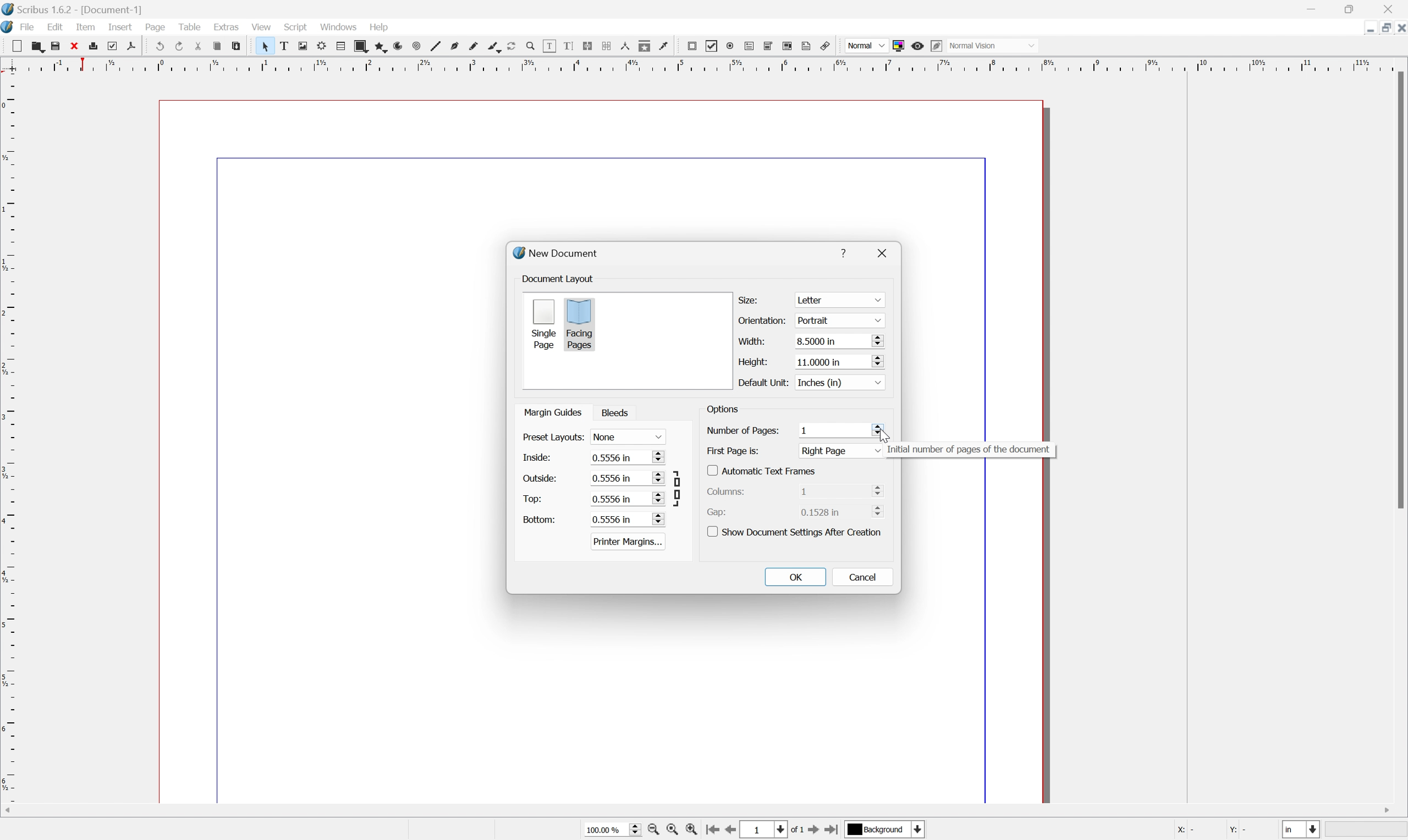 This screenshot has width=1408, height=840. Describe the element at coordinates (119, 28) in the screenshot. I see `Insert` at that location.